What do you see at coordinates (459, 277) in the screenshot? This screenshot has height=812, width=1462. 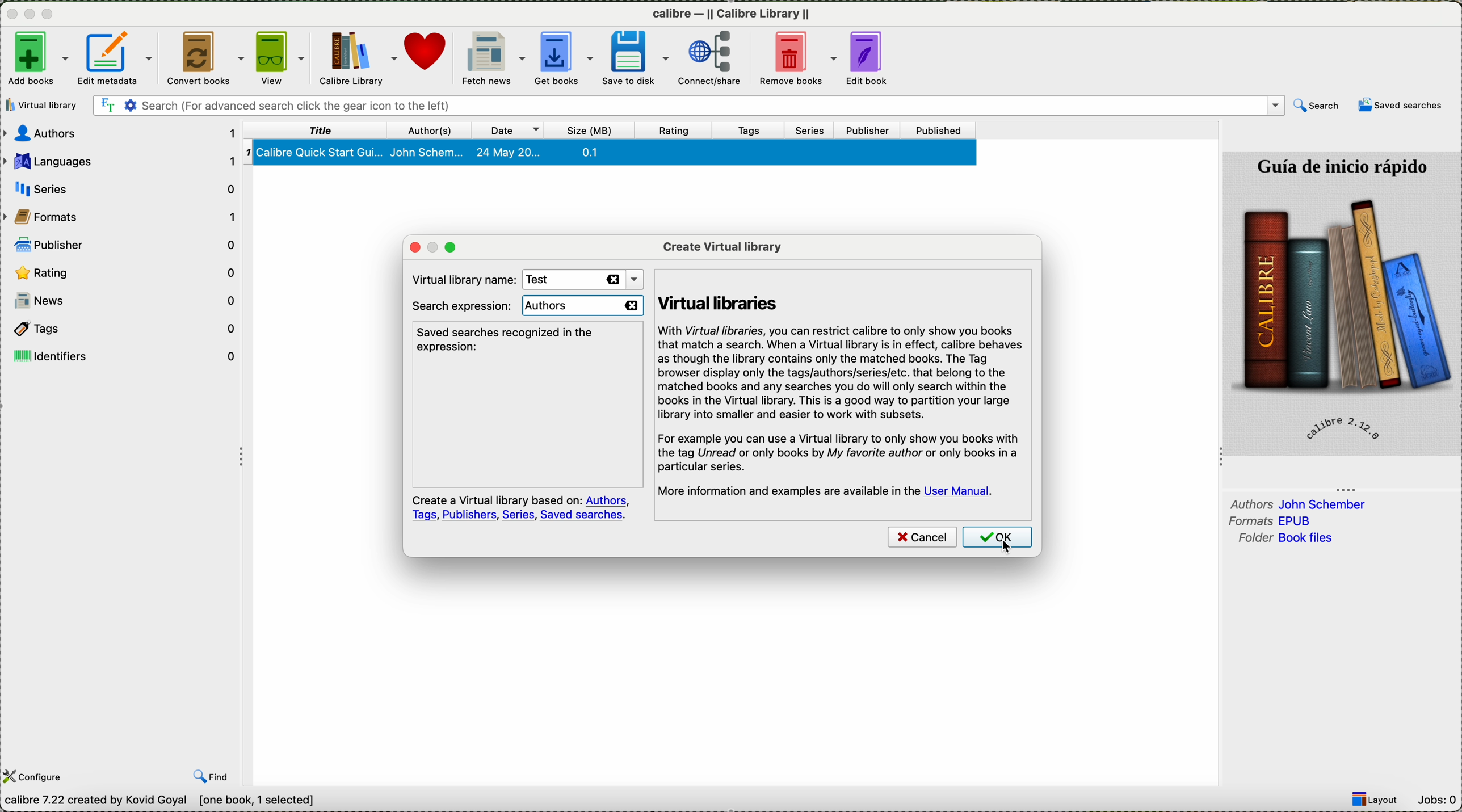 I see `virtual library name` at bounding box center [459, 277].